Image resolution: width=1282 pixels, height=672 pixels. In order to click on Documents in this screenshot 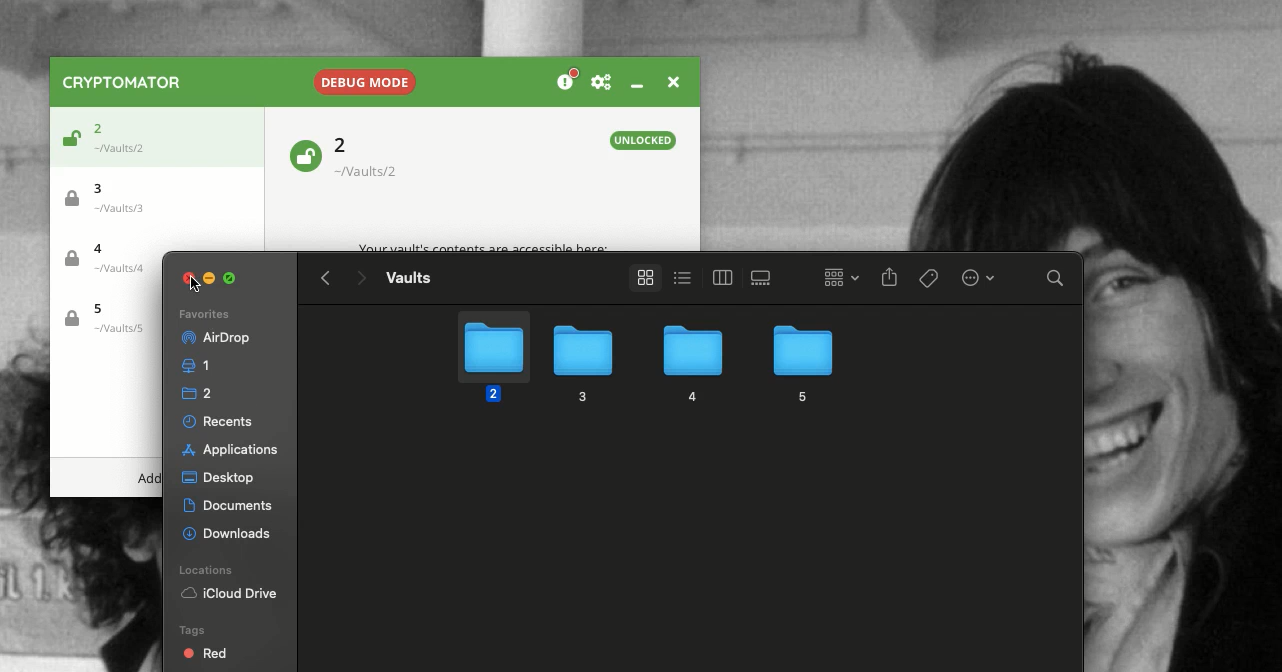, I will do `click(231, 478)`.